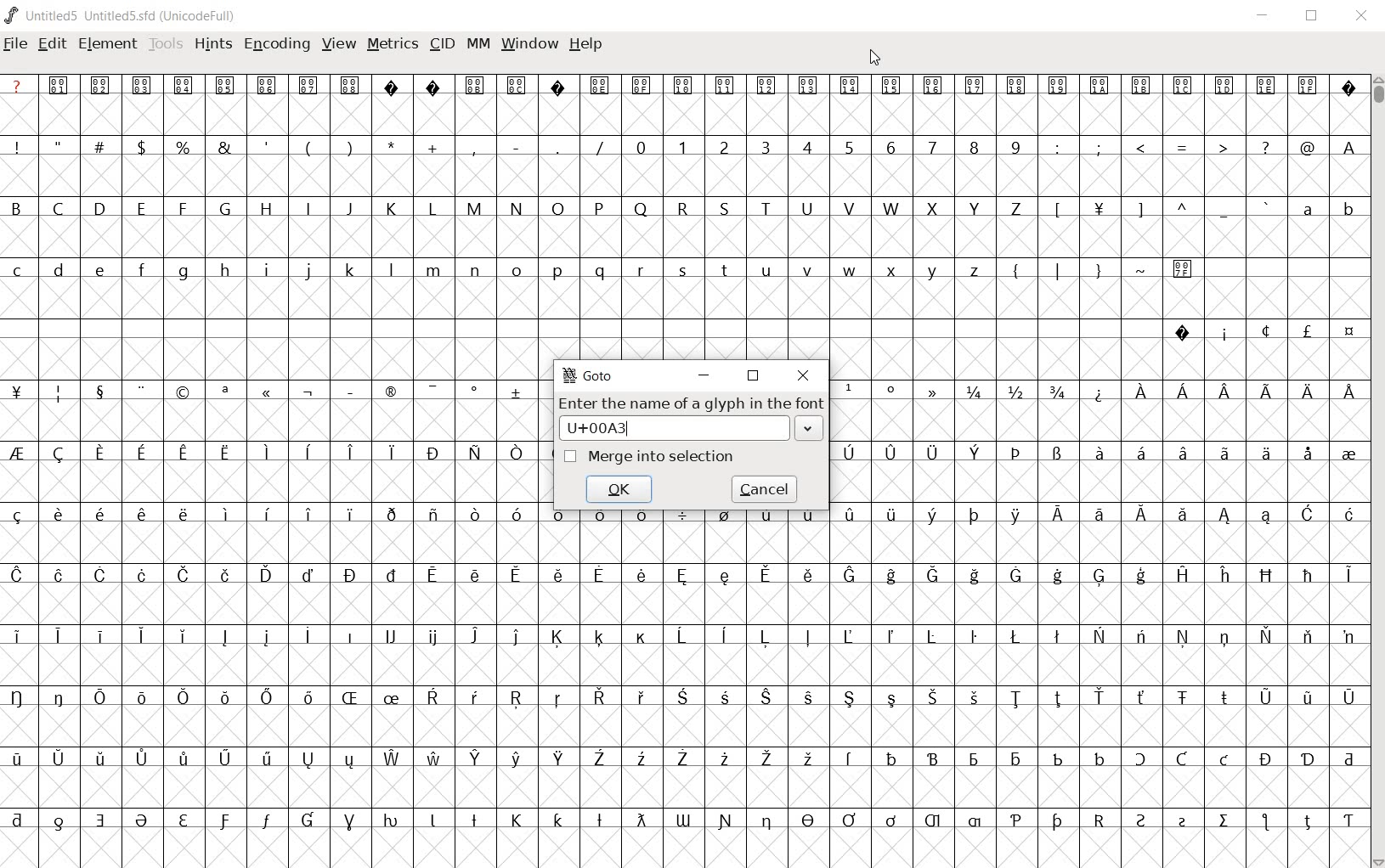 The height and width of the screenshot is (868, 1385). I want to click on , so click(1225, 389).